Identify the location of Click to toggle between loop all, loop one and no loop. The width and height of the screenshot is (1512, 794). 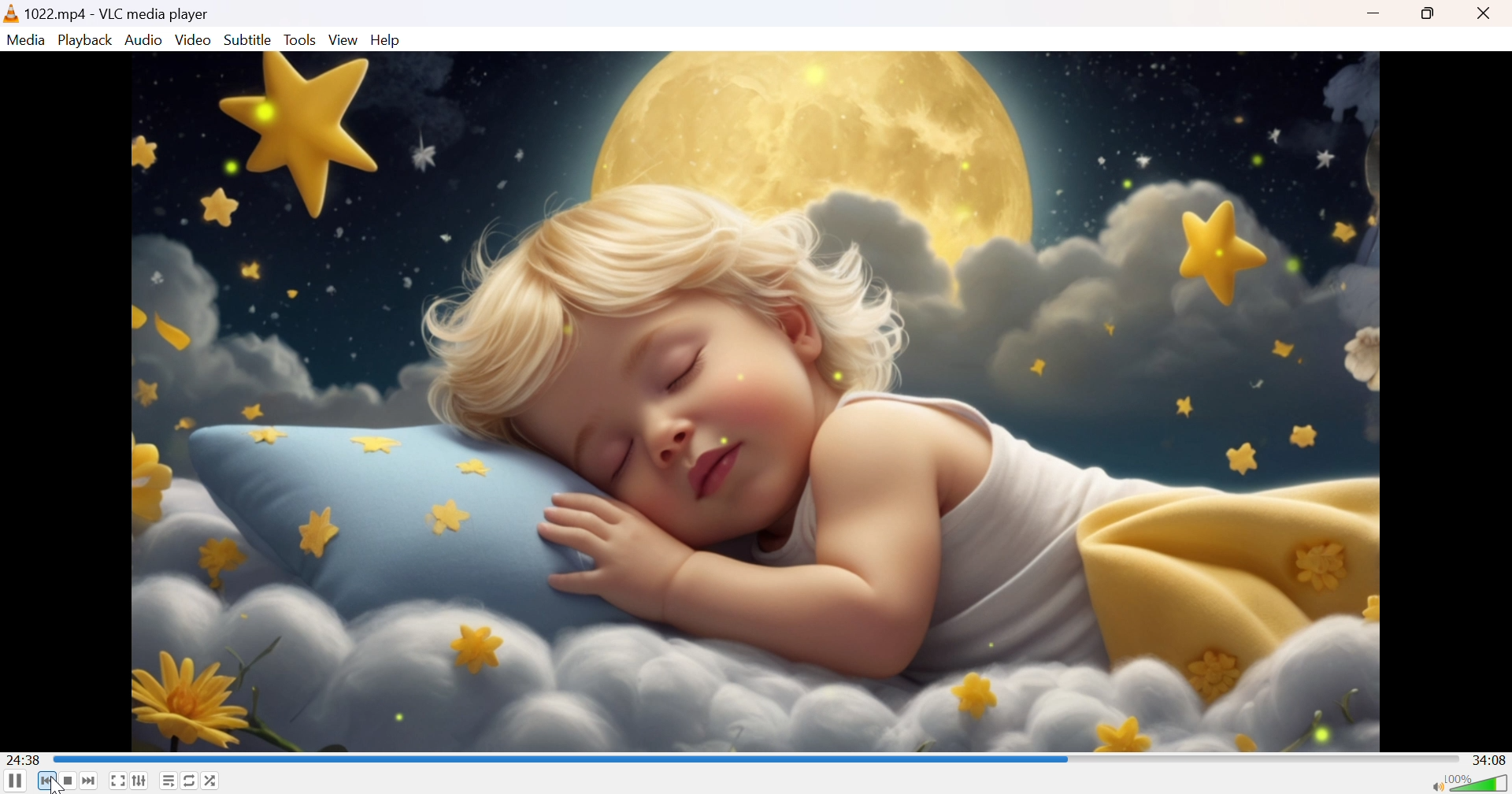
(188, 779).